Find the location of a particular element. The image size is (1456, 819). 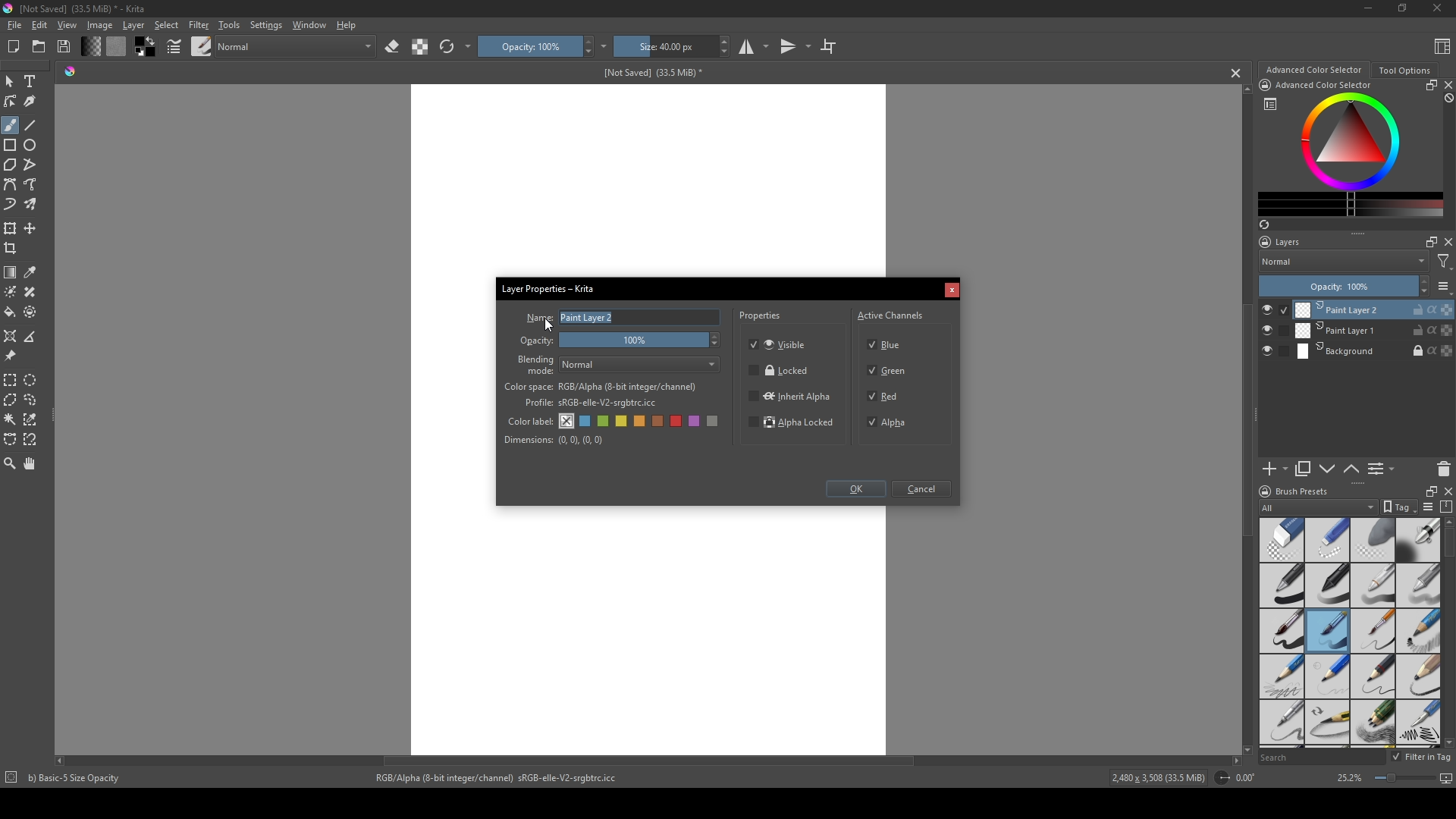

assistant is located at coordinates (11, 335).